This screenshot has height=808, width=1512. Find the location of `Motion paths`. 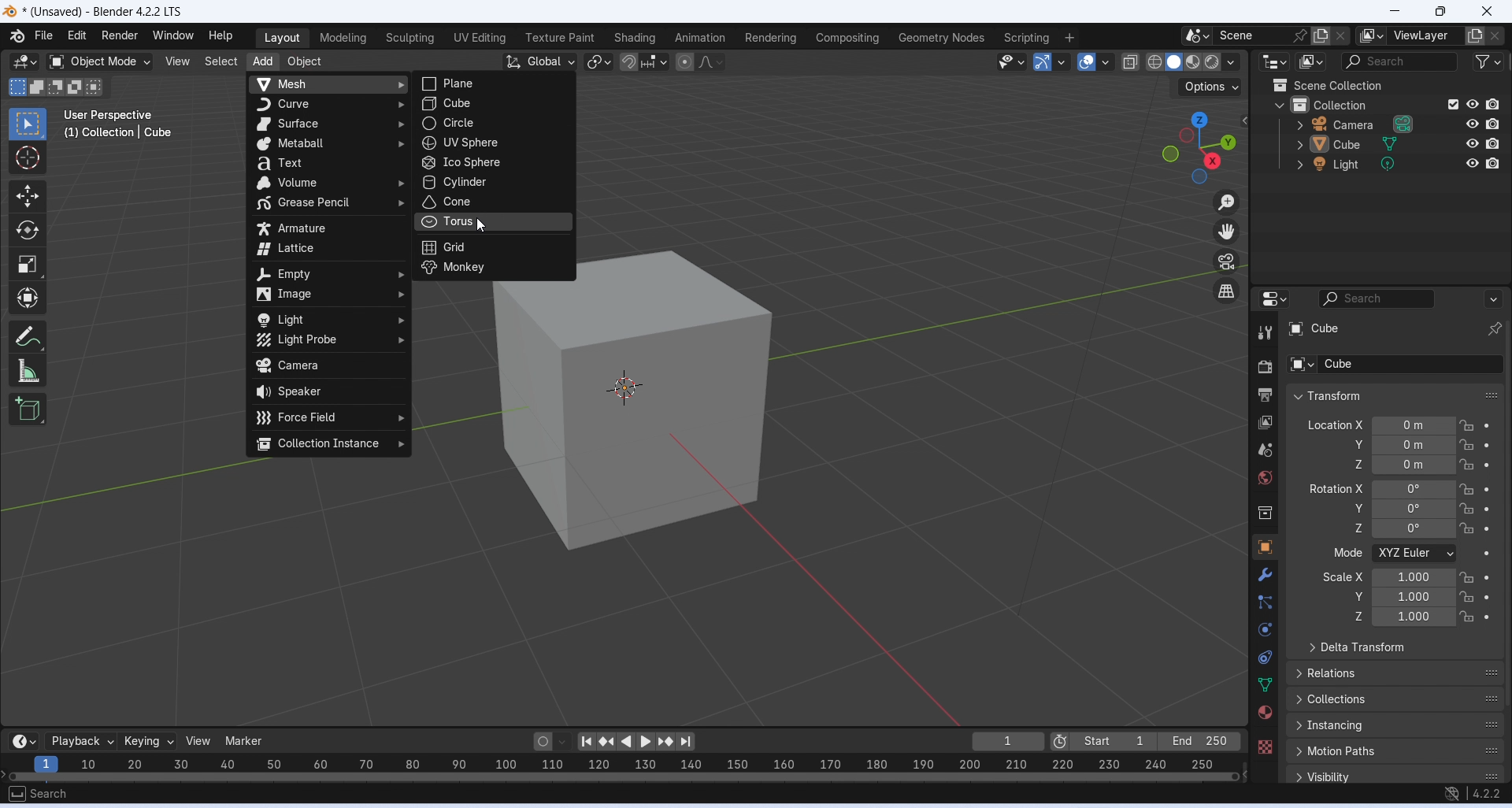

Motion paths is located at coordinates (1396, 753).